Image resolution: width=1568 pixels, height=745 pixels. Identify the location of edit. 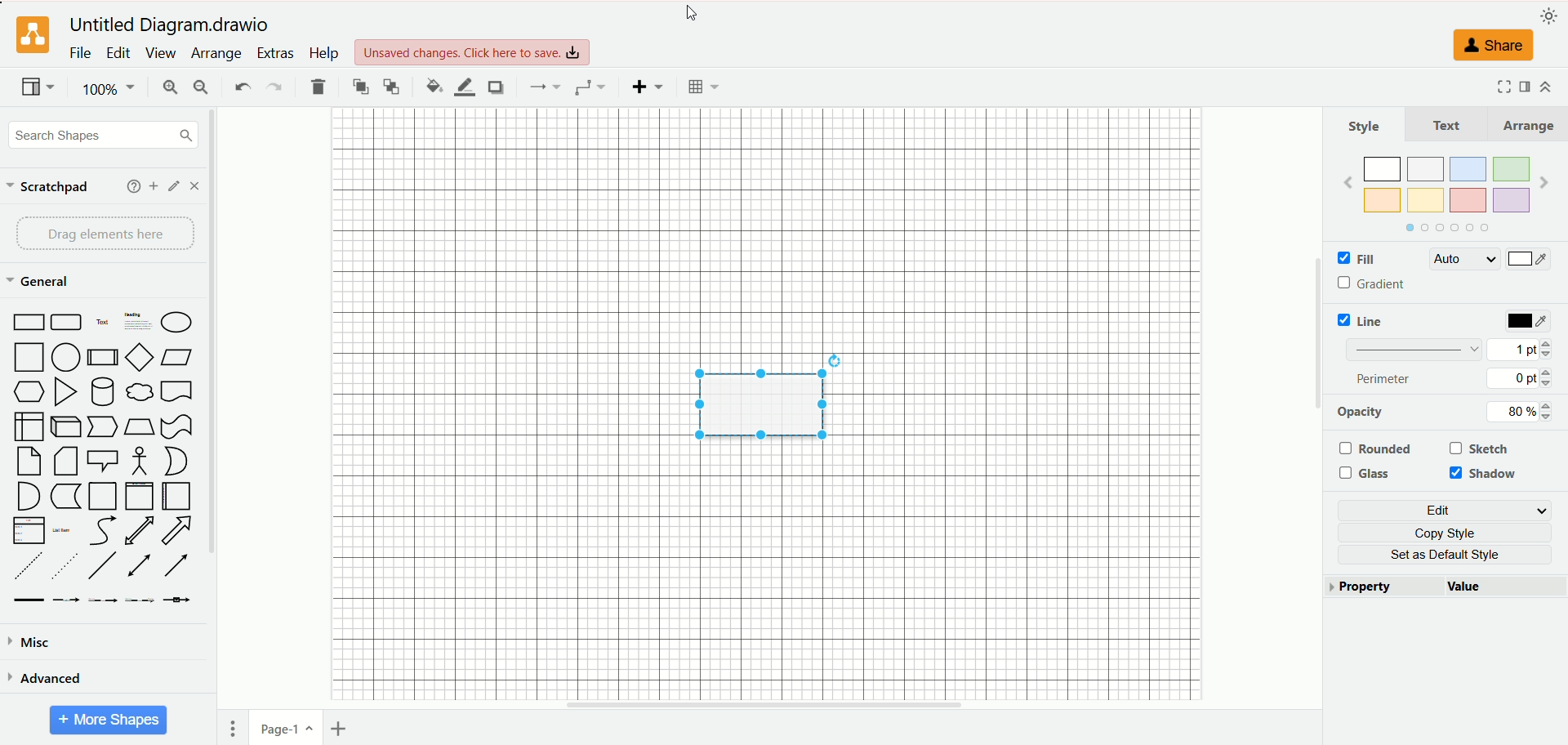
(118, 53).